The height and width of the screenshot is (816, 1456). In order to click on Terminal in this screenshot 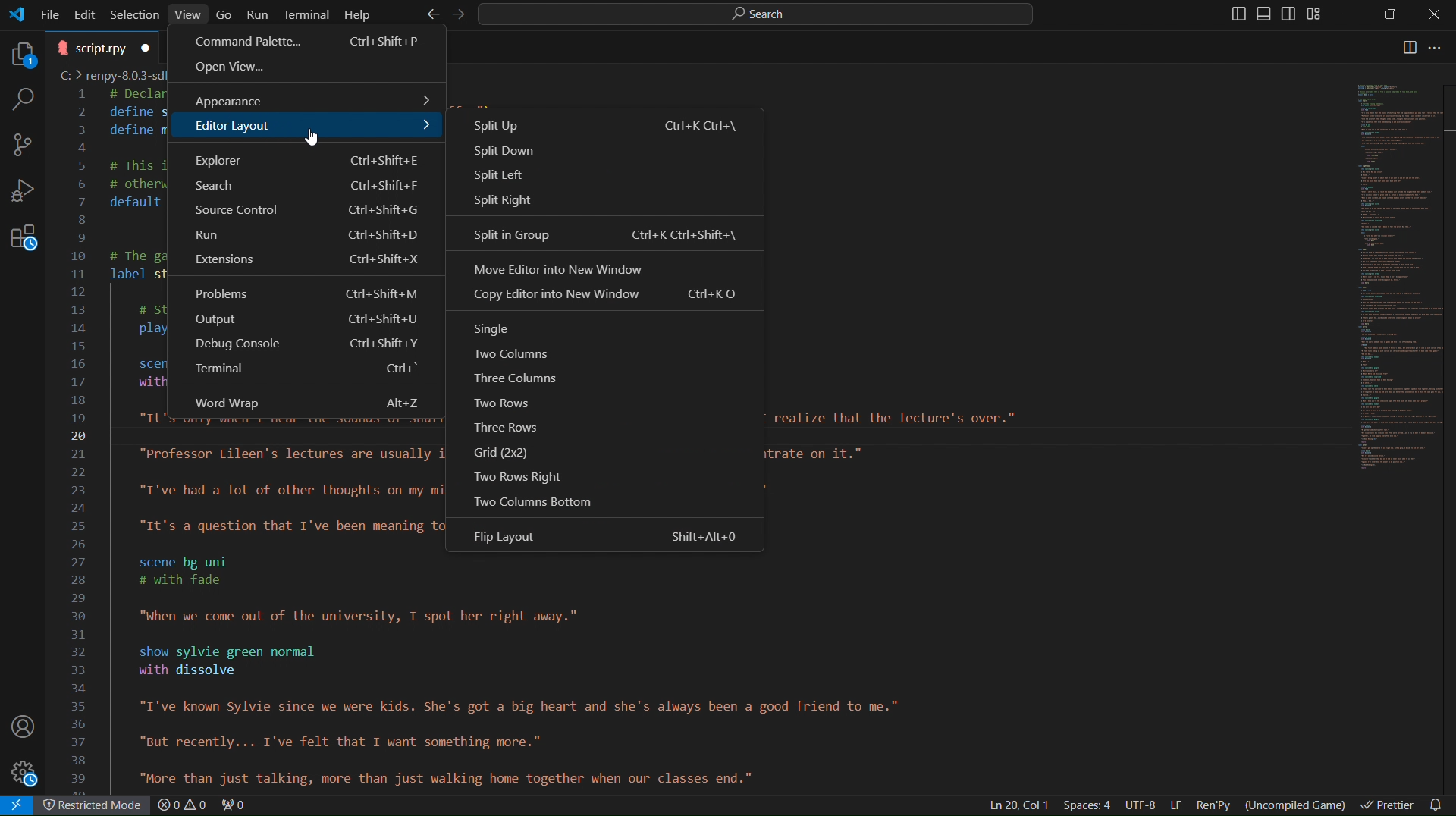, I will do `click(307, 14)`.